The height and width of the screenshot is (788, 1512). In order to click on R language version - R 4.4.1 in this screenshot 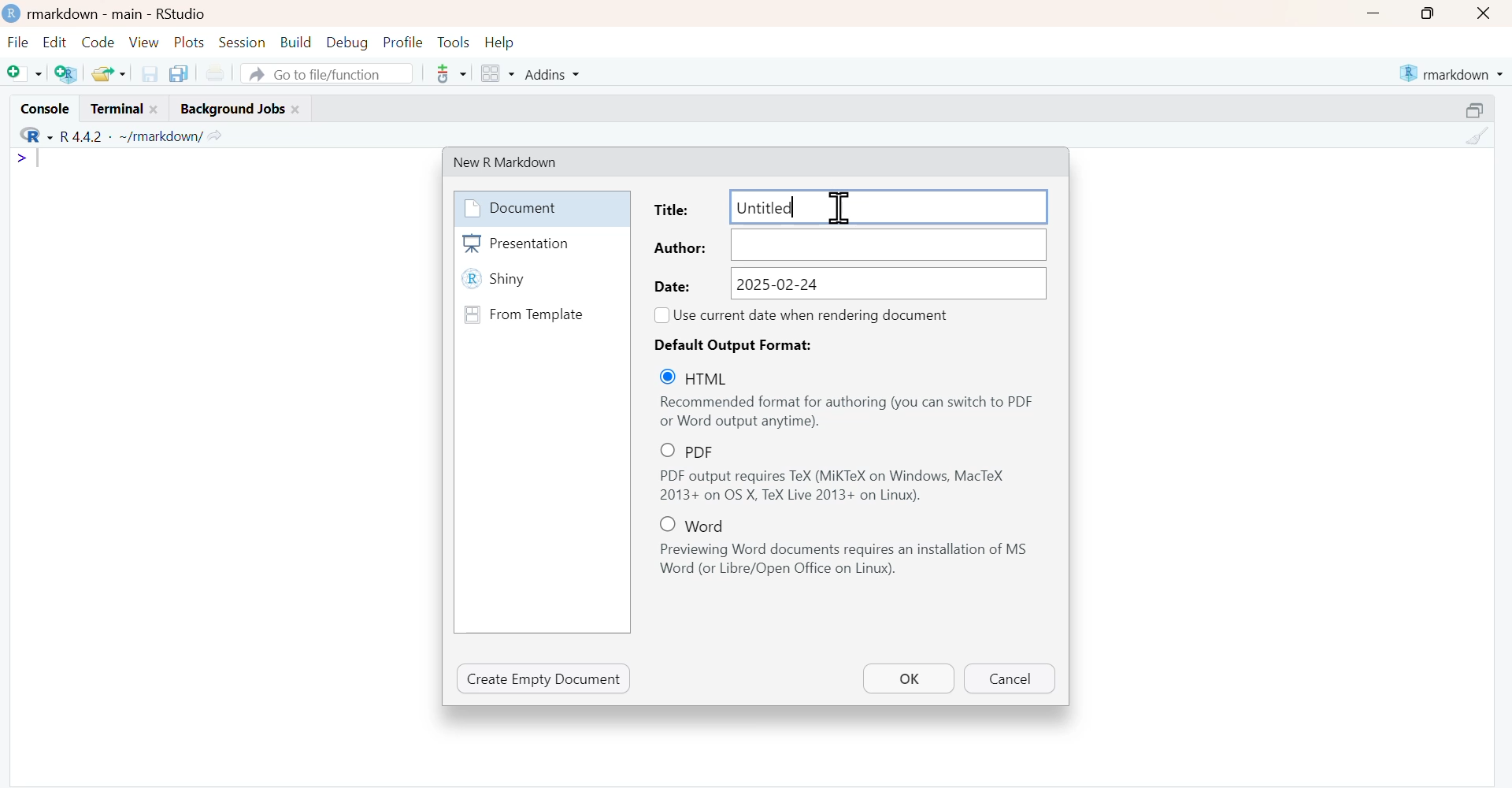, I will do `click(128, 136)`.